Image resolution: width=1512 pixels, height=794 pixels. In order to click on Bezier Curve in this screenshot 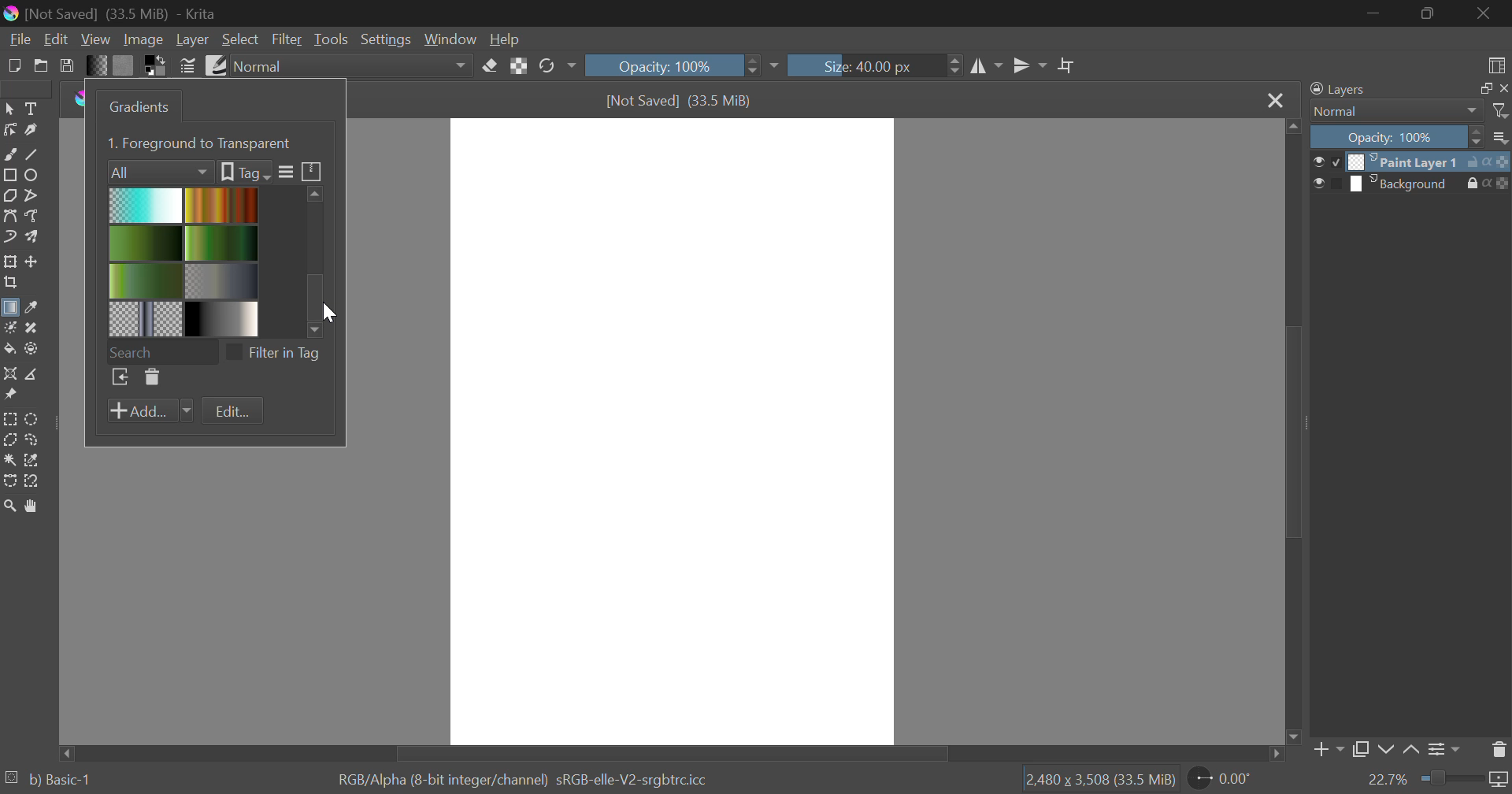, I will do `click(9, 216)`.